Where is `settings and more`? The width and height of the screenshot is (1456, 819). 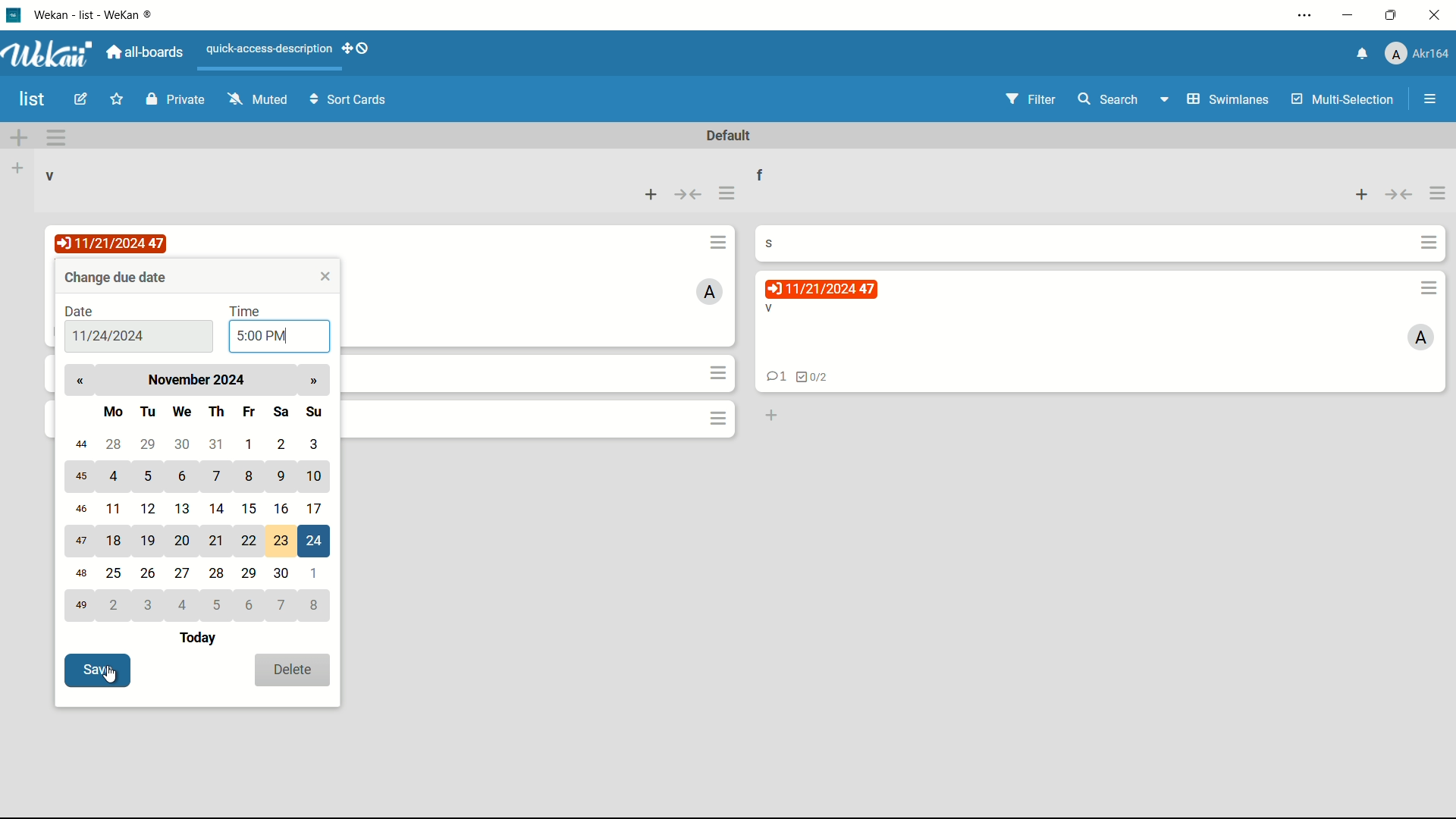
settings and more is located at coordinates (1308, 15).